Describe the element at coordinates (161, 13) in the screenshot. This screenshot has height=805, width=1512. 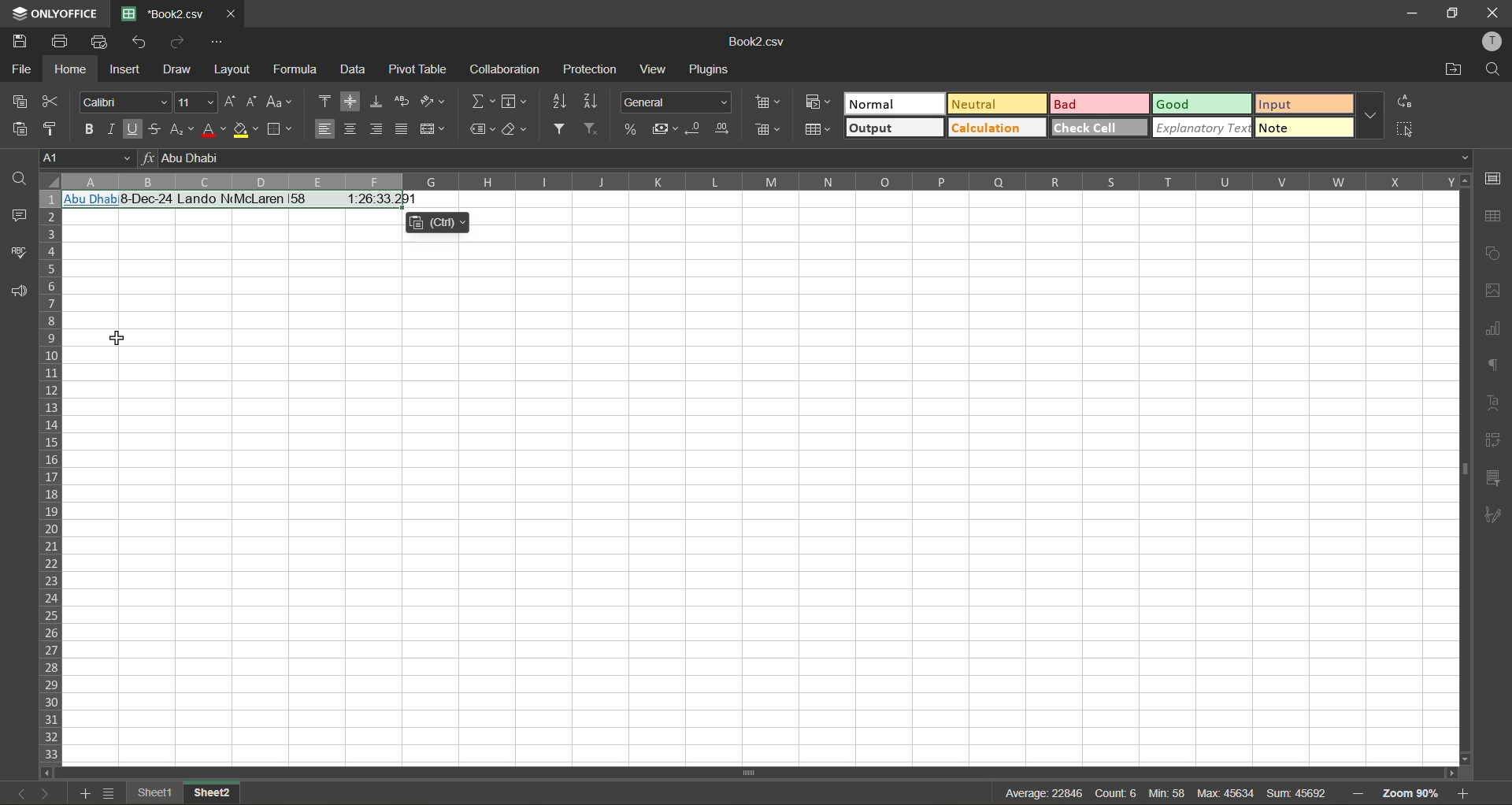
I see `filename` at that location.